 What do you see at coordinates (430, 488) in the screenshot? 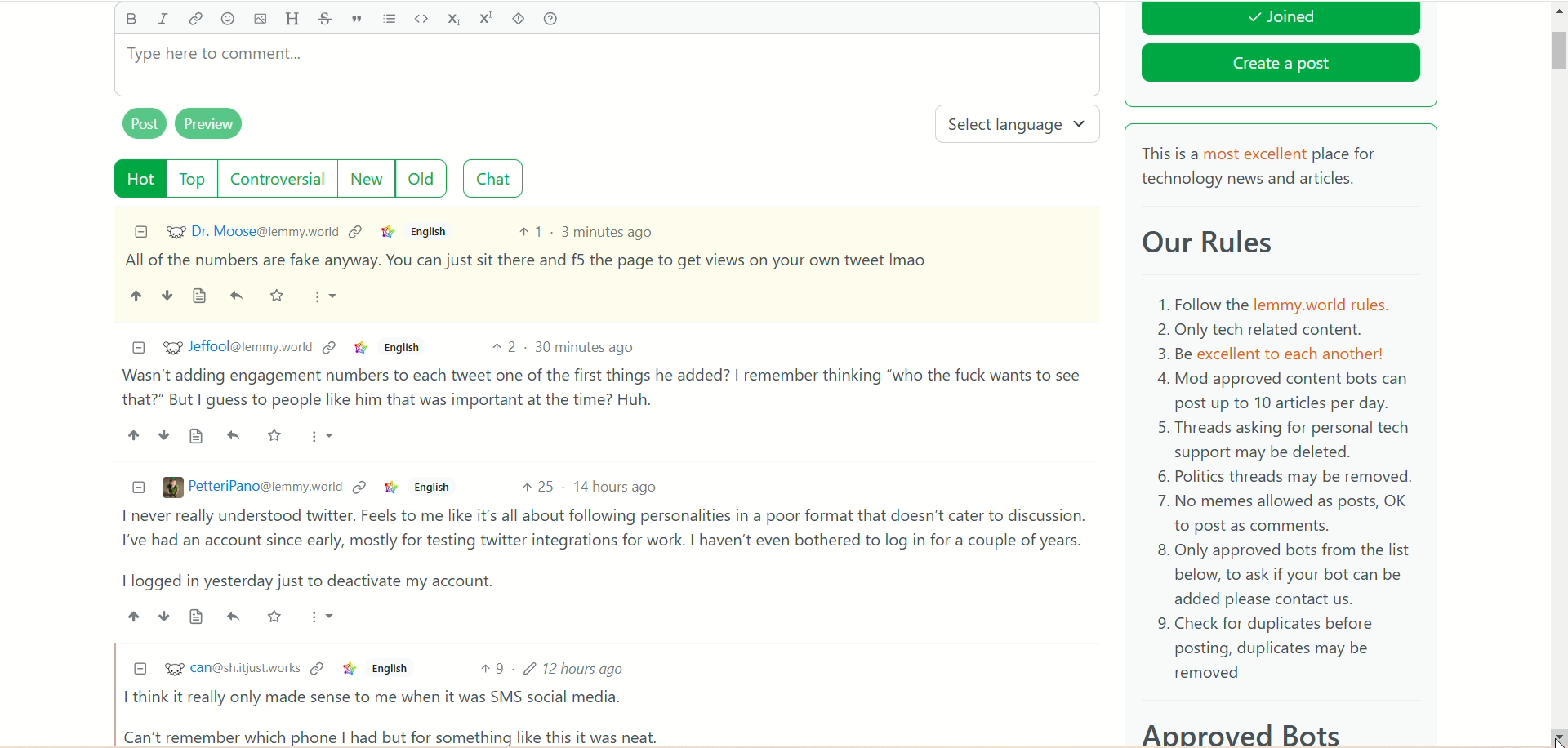
I see `English` at bounding box center [430, 488].